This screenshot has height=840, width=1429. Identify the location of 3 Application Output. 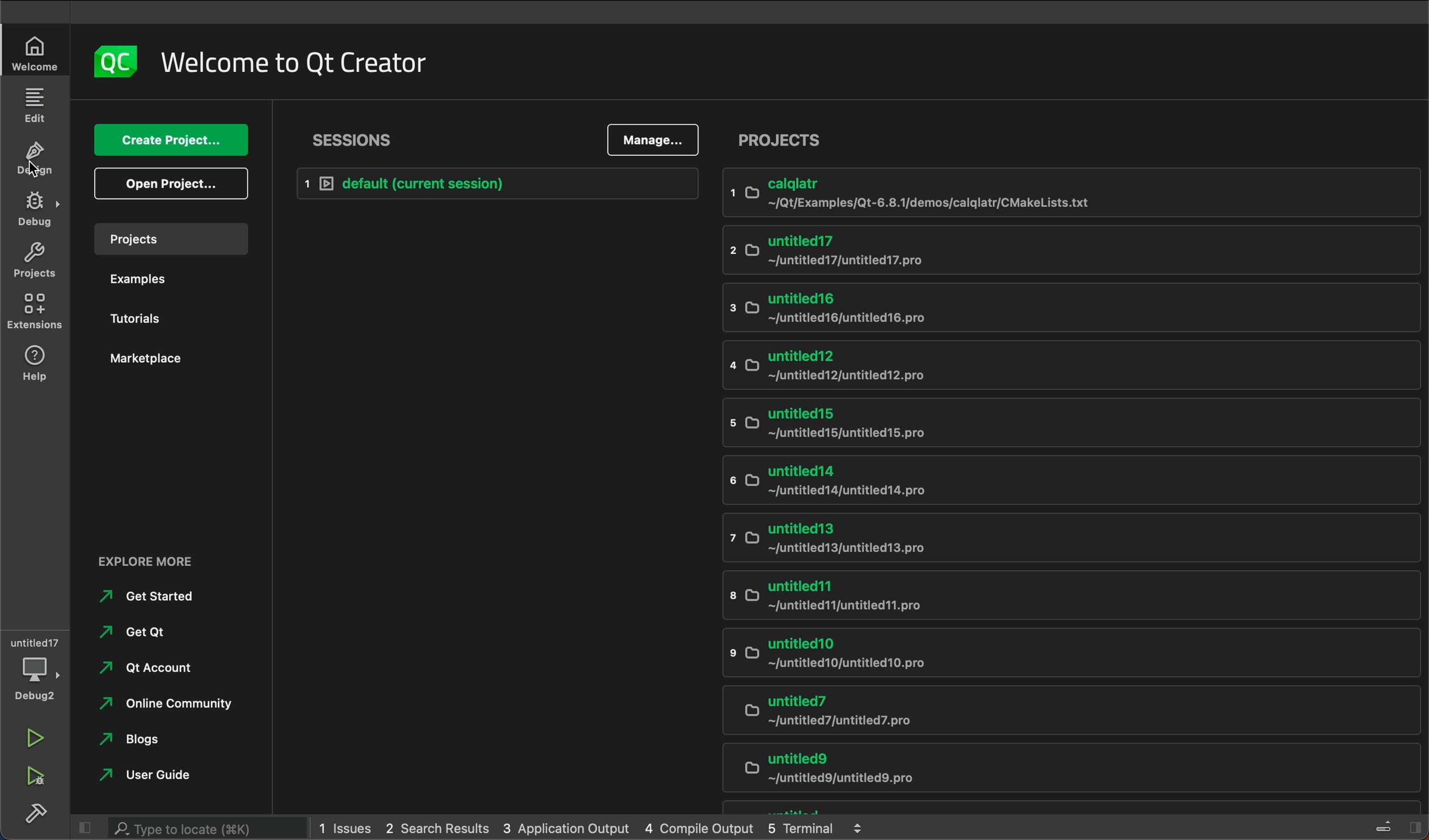
(567, 827).